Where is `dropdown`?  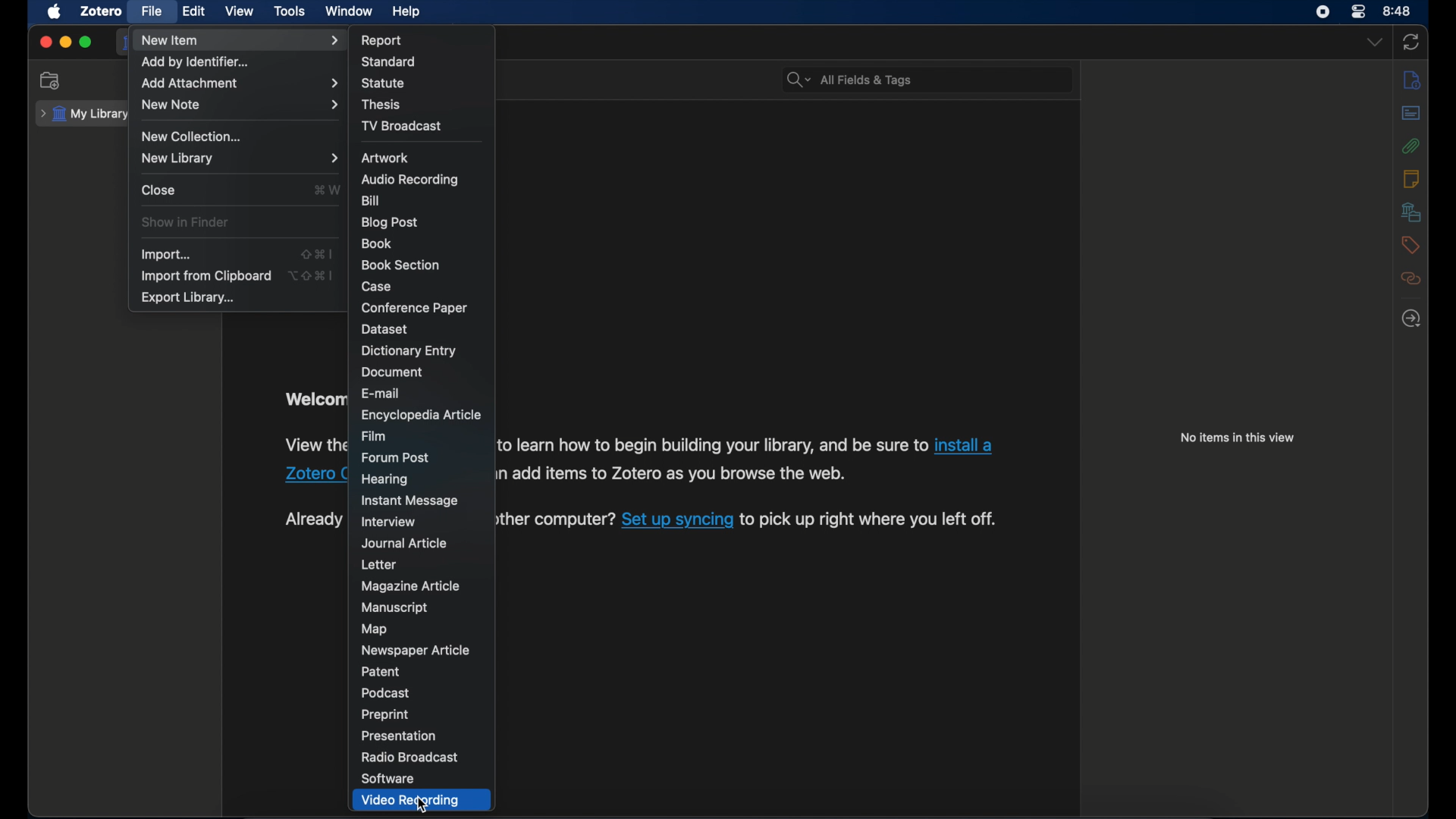
dropdown is located at coordinates (1375, 43).